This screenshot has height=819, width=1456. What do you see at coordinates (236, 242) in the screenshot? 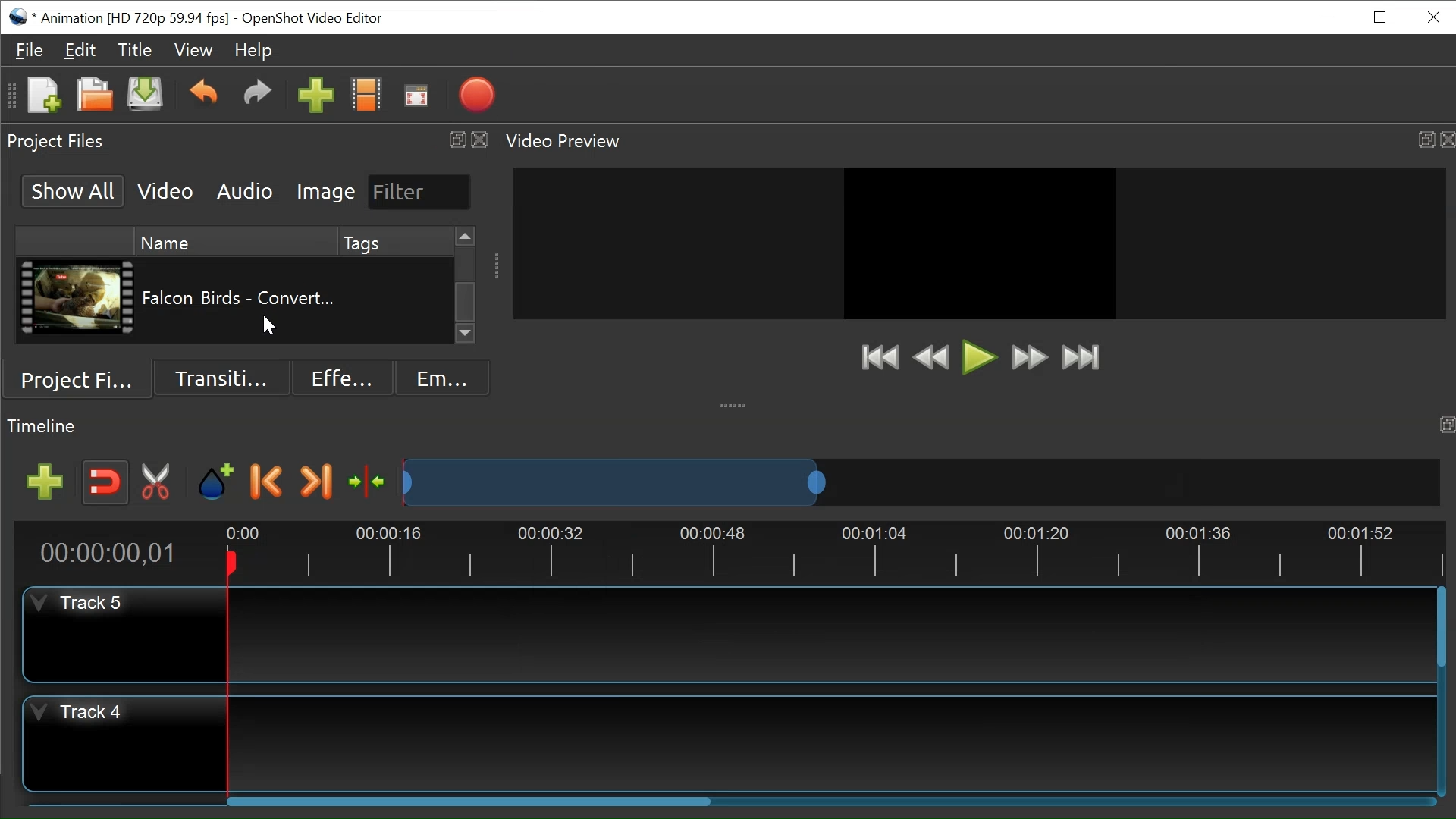
I see `Name` at bounding box center [236, 242].